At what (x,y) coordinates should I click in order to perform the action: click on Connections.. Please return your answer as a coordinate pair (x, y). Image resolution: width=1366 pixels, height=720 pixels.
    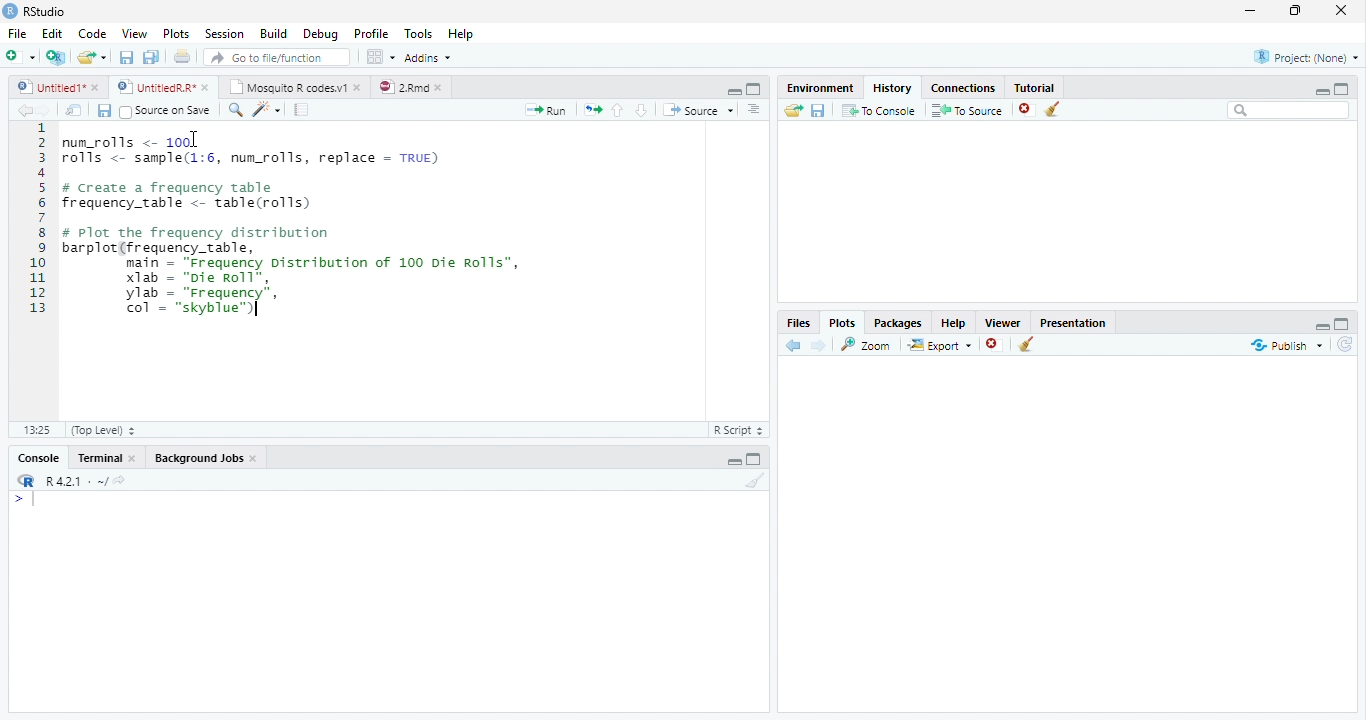
    Looking at the image, I should click on (963, 87).